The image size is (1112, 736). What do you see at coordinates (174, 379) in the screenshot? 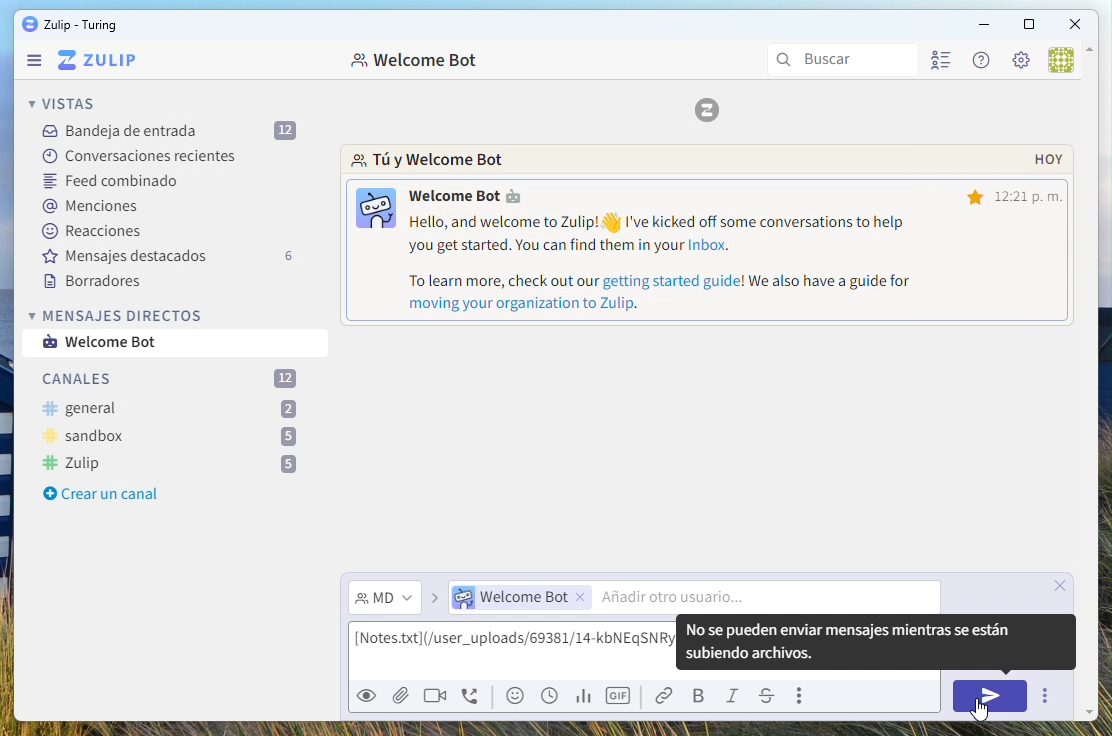
I see `Channels` at bounding box center [174, 379].